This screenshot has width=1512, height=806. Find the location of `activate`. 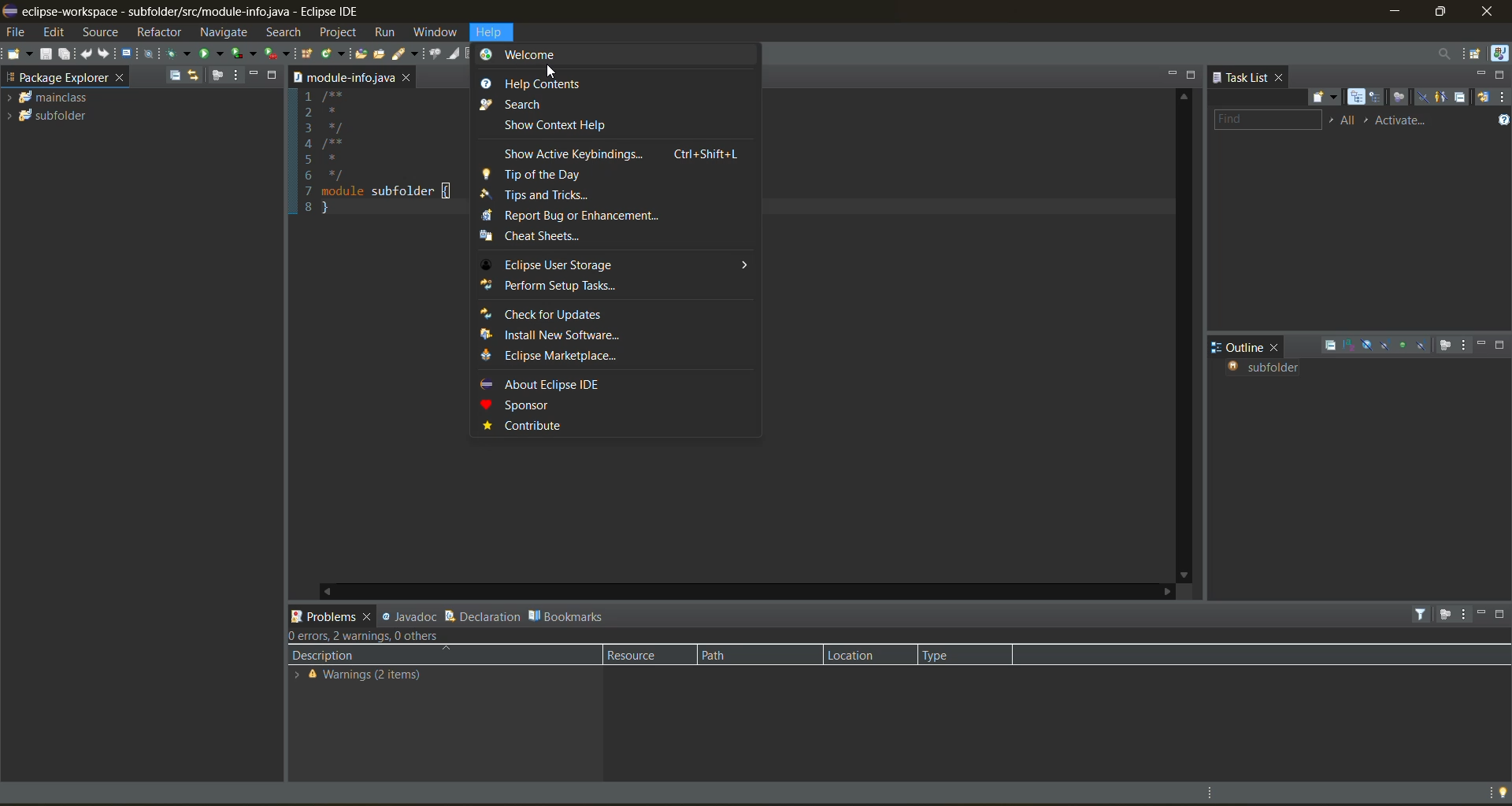

activate is located at coordinates (1410, 120).